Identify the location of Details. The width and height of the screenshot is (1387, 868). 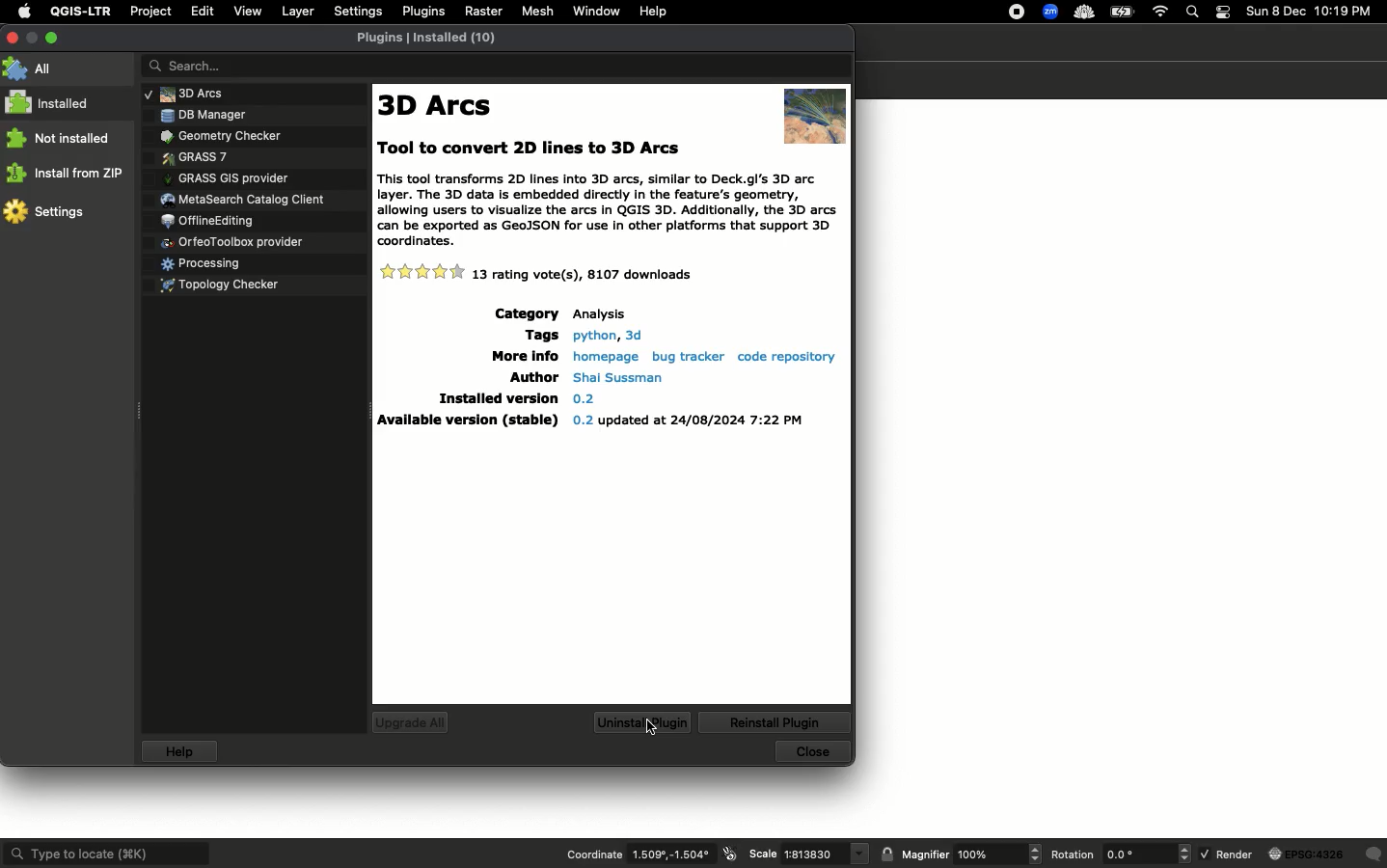
(563, 312).